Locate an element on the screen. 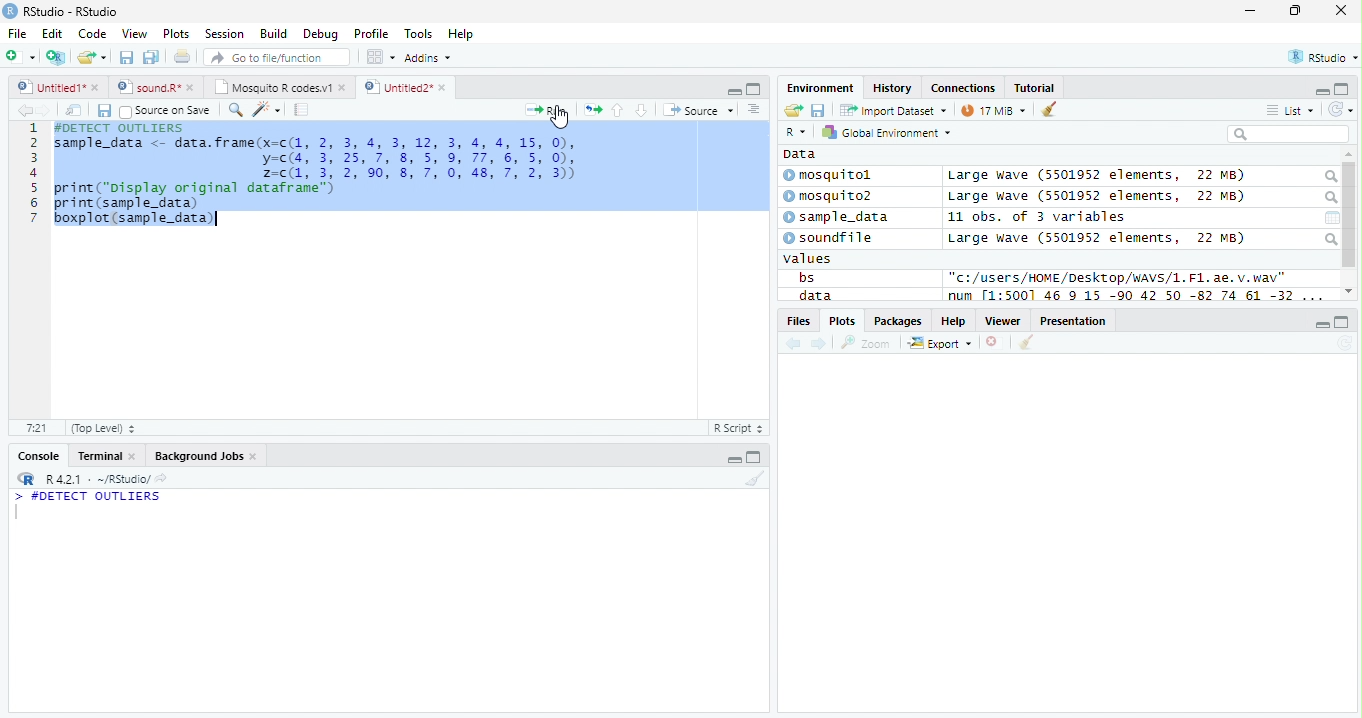 The width and height of the screenshot is (1362, 718). full screen is located at coordinates (1343, 322).